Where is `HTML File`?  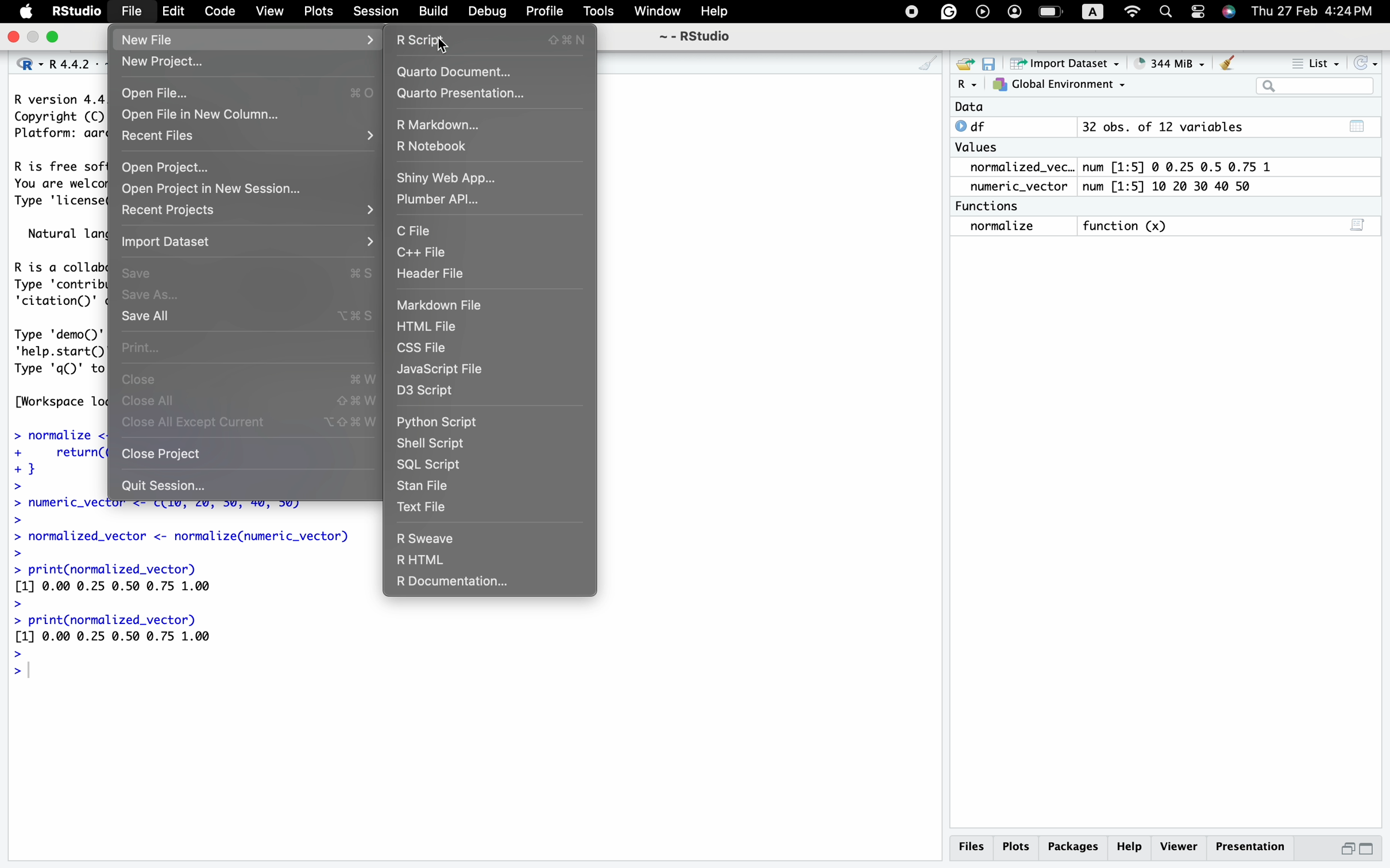
HTML File is located at coordinates (427, 327).